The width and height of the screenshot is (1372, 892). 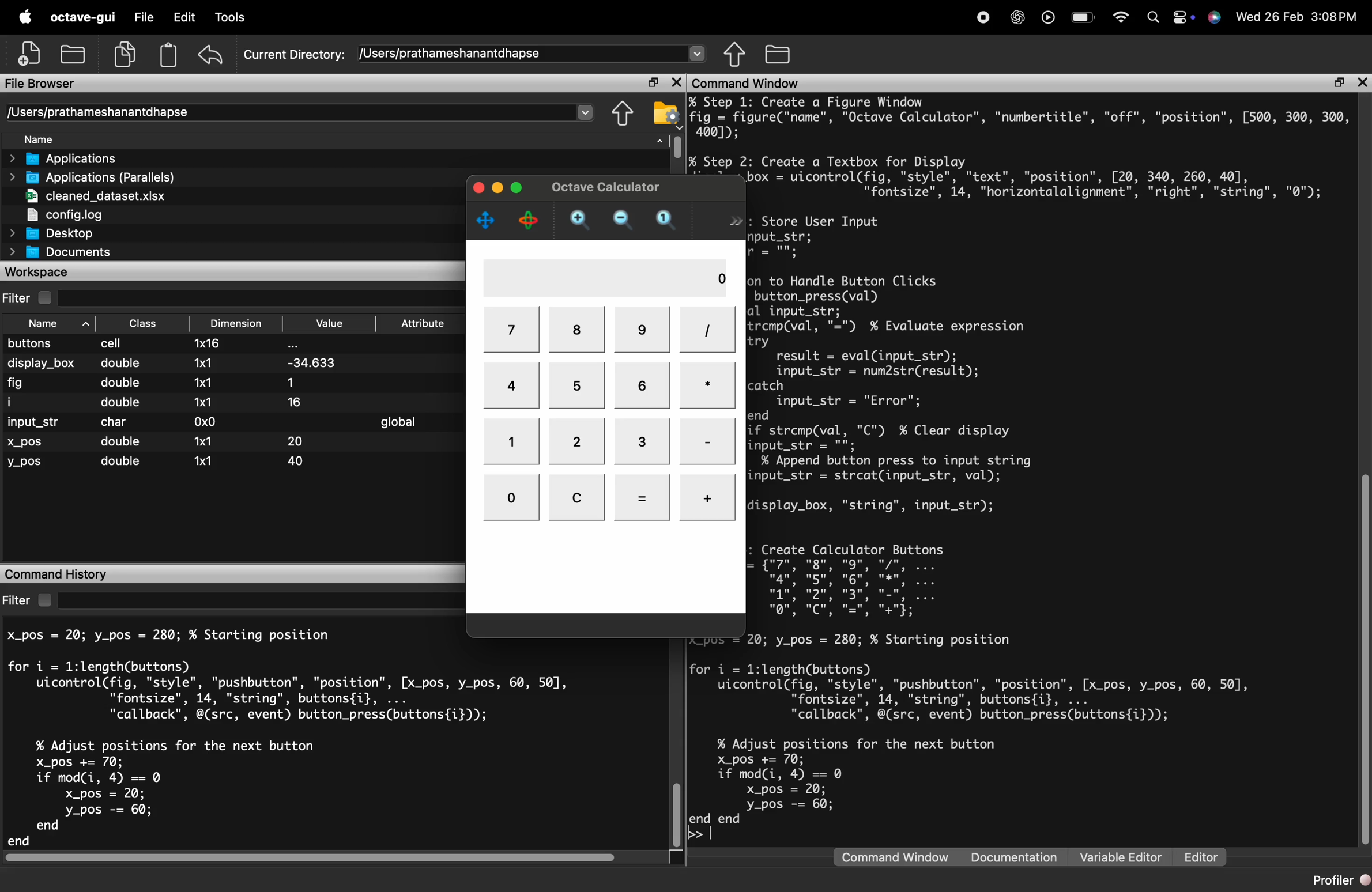 I want to click on Command Window, so click(x=986, y=84).